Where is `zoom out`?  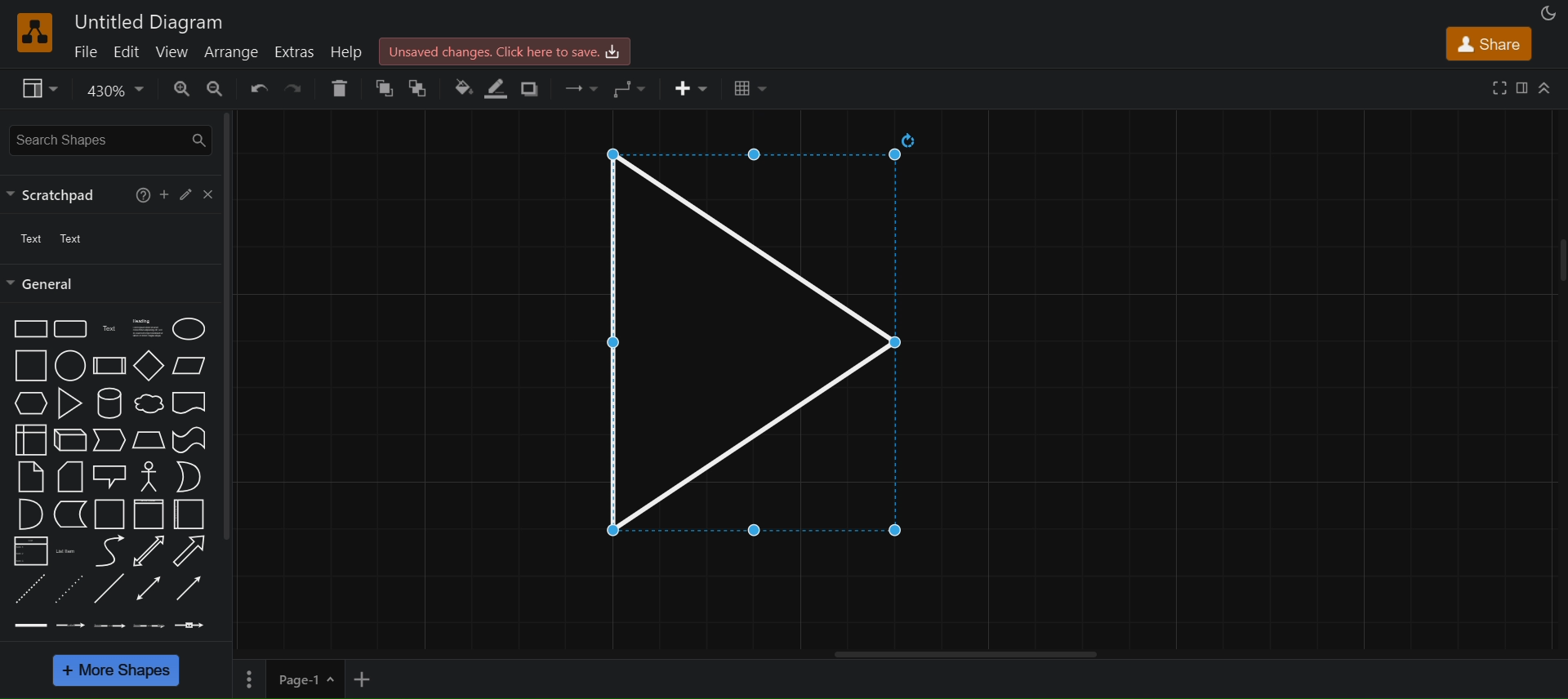 zoom out is located at coordinates (216, 88).